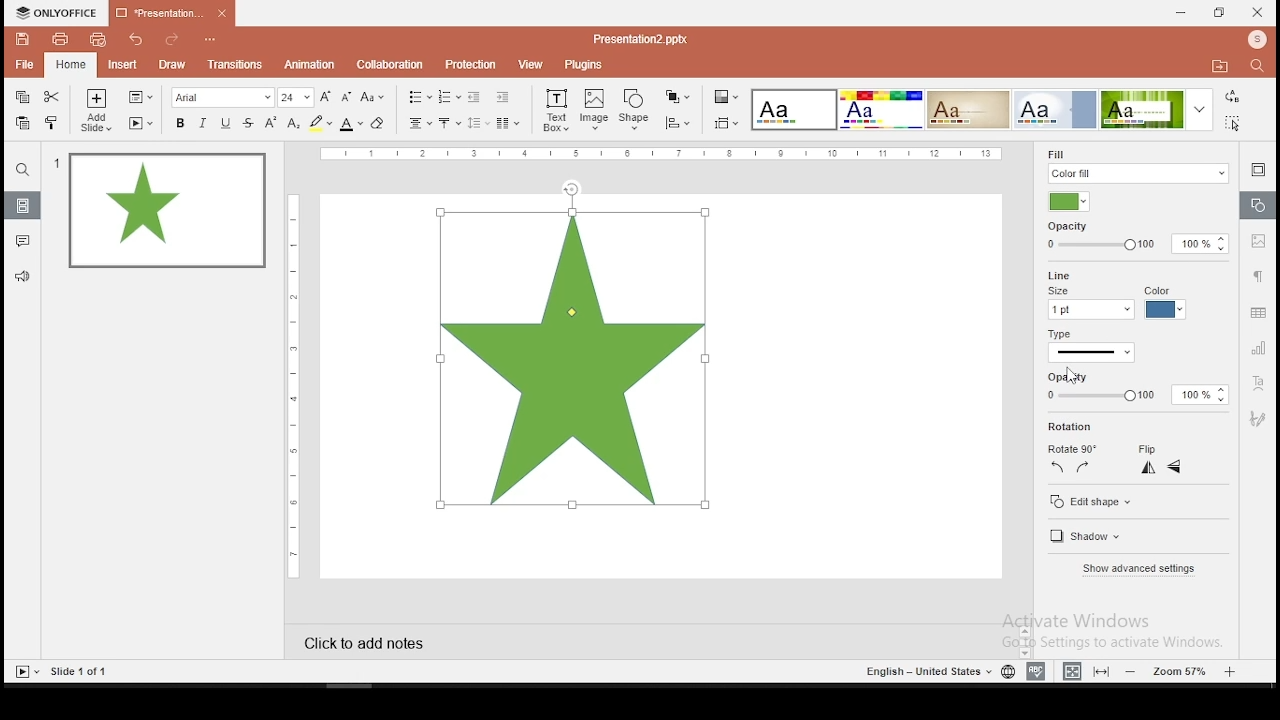  What do you see at coordinates (795, 111) in the screenshot?
I see `theme` at bounding box center [795, 111].